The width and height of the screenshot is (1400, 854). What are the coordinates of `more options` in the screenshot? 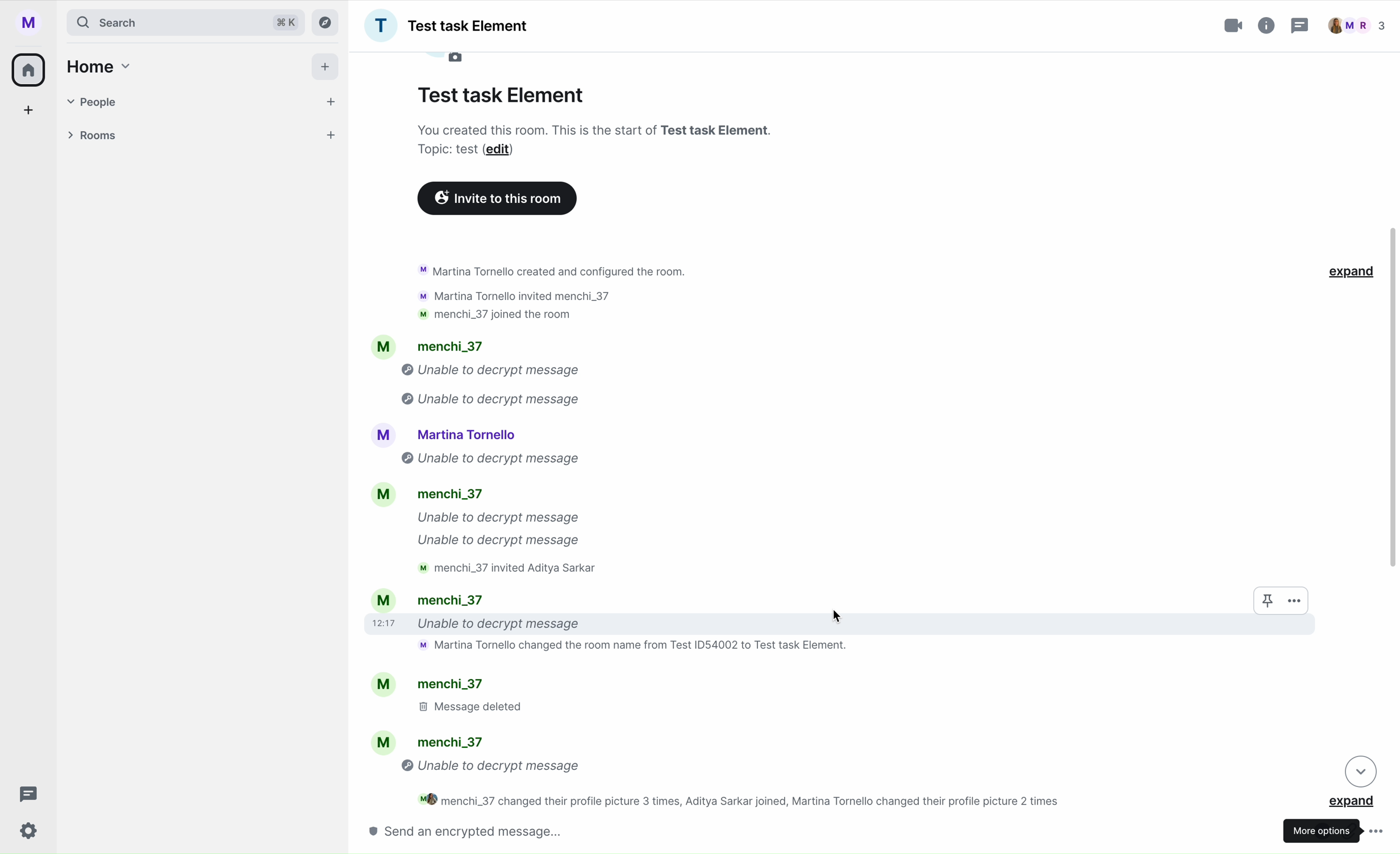 It's located at (1336, 828).